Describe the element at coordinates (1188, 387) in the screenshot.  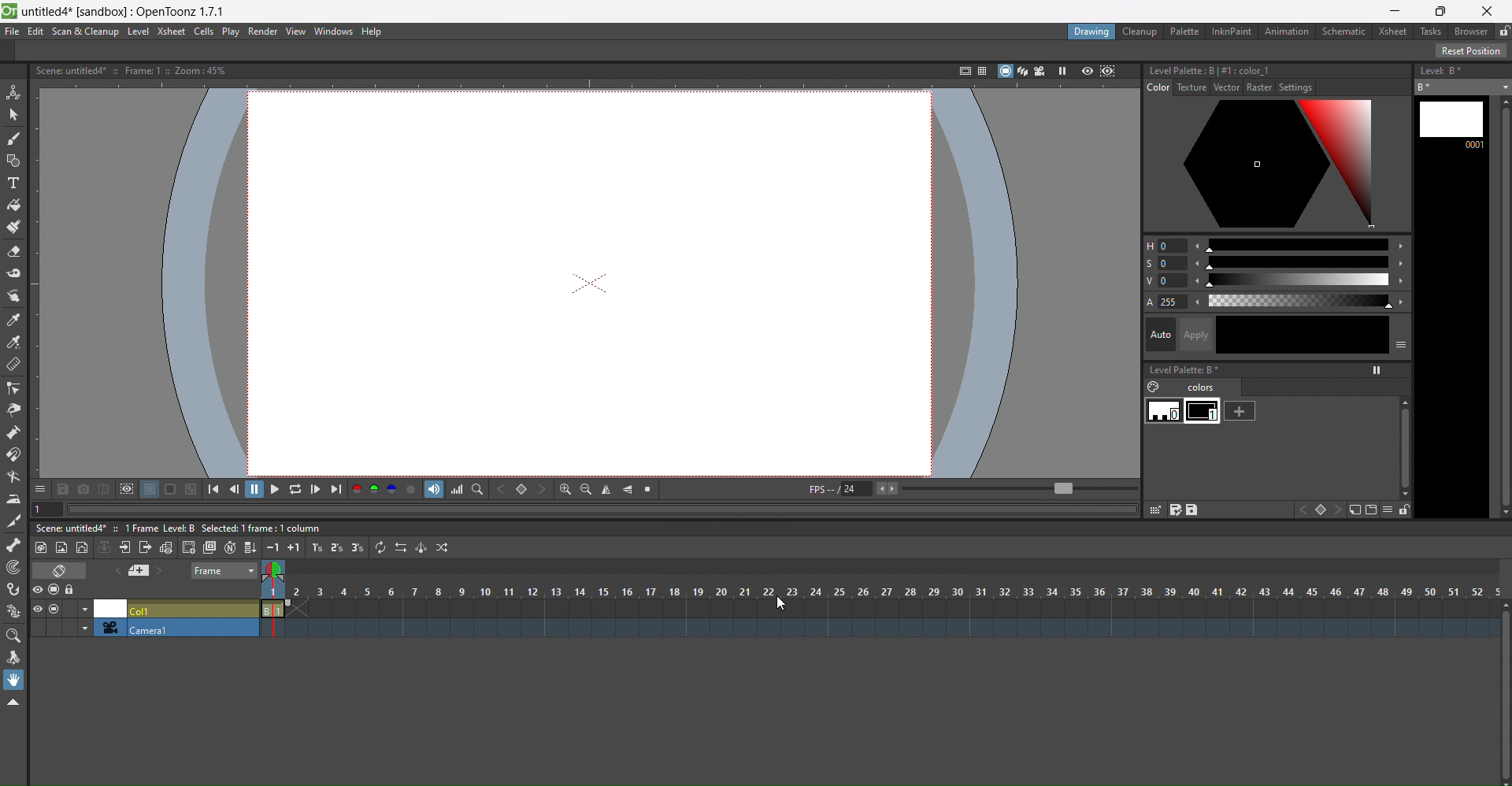
I see `colors` at that location.